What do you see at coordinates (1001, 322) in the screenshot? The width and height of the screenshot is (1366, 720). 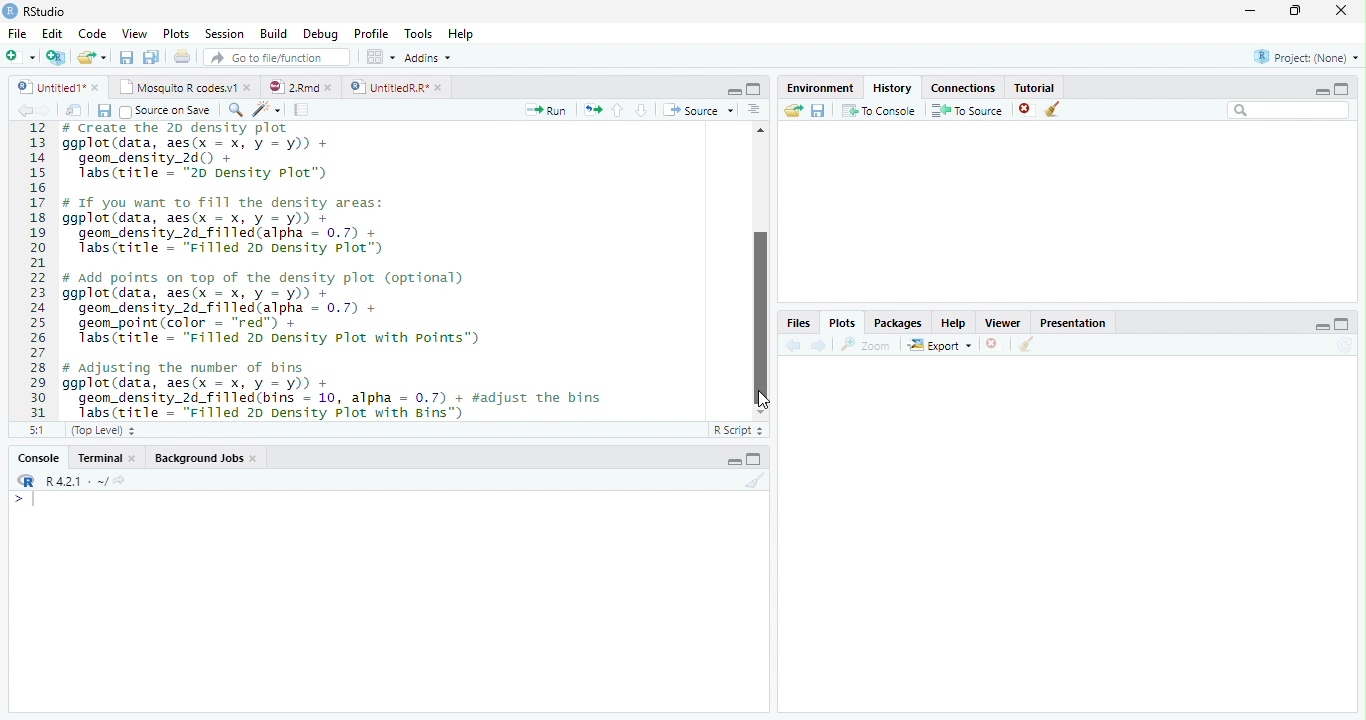 I see `Viewer` at bounding box center [1001, 322].